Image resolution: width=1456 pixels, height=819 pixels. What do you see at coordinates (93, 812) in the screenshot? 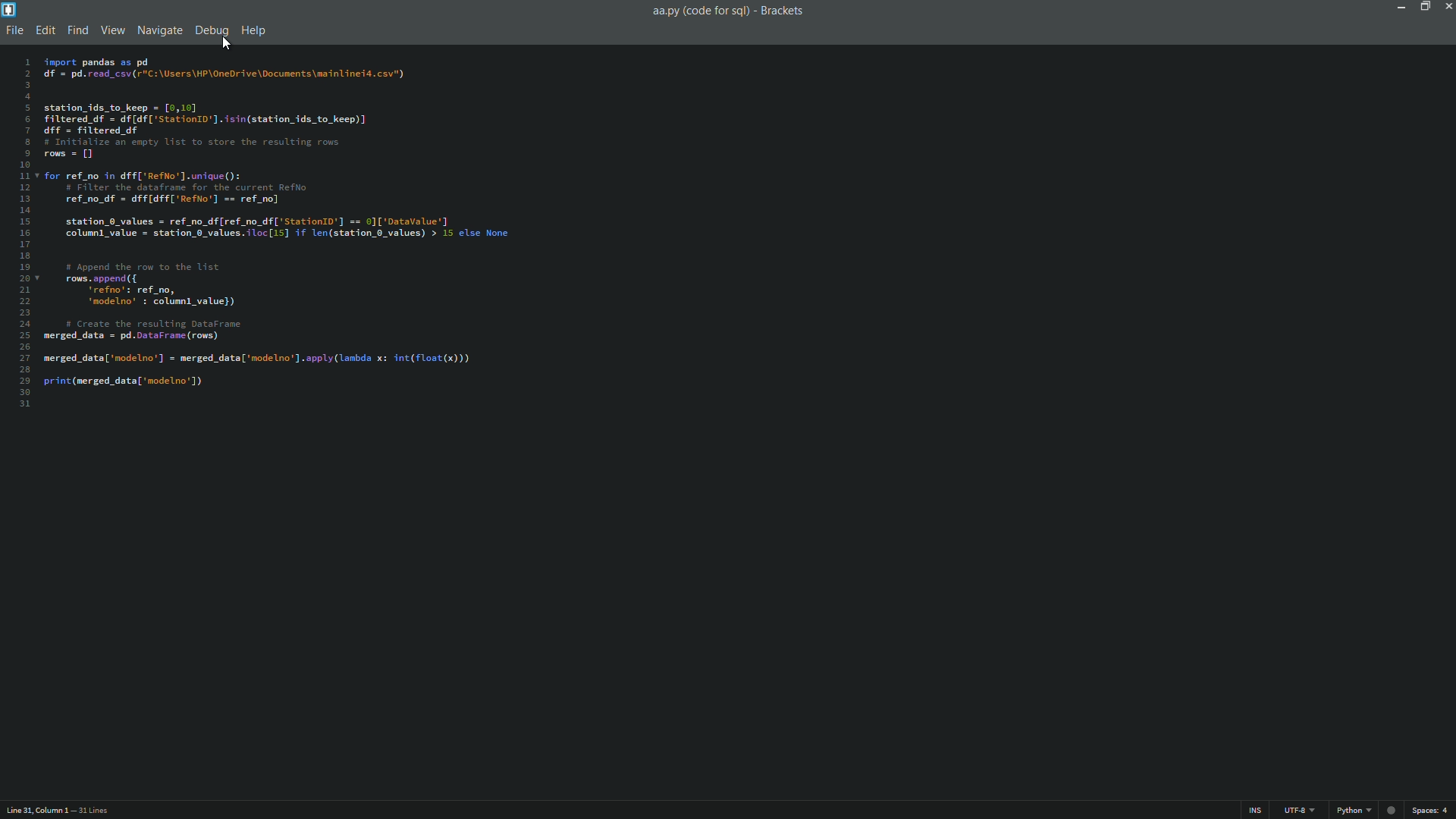
I see `number of lines` at bounding box center [93, 812].